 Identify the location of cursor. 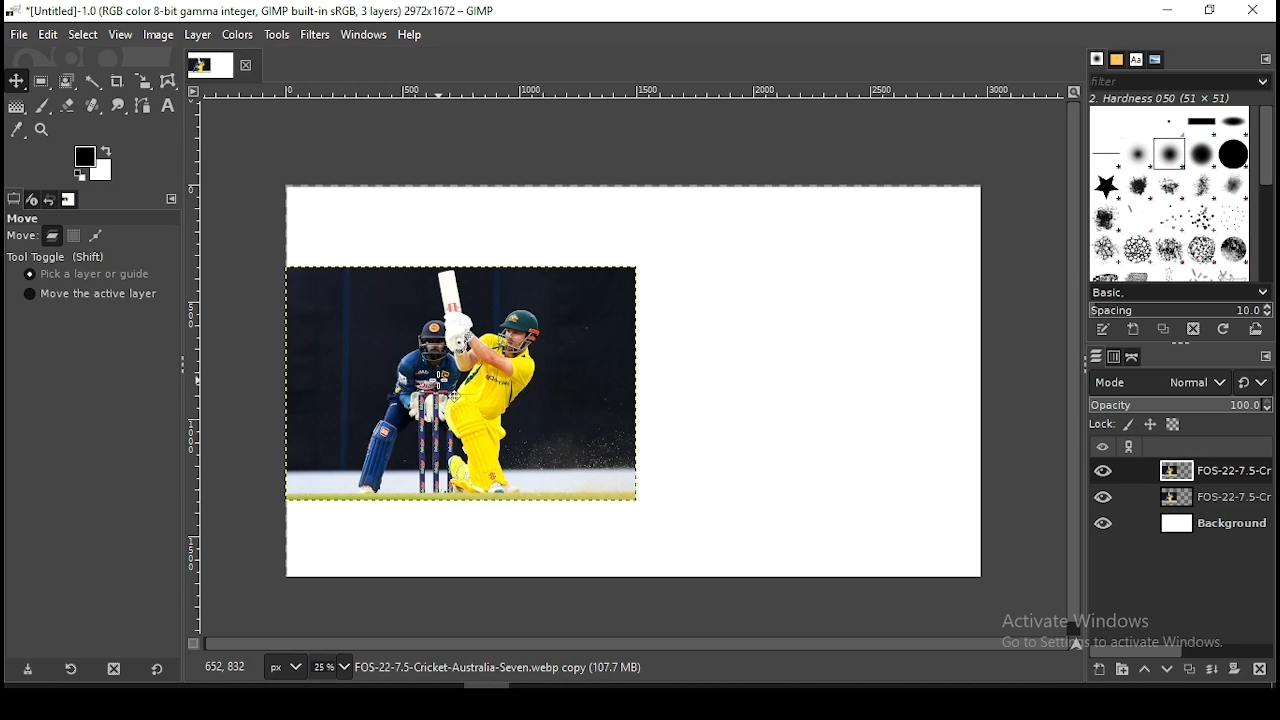
(439, 380).